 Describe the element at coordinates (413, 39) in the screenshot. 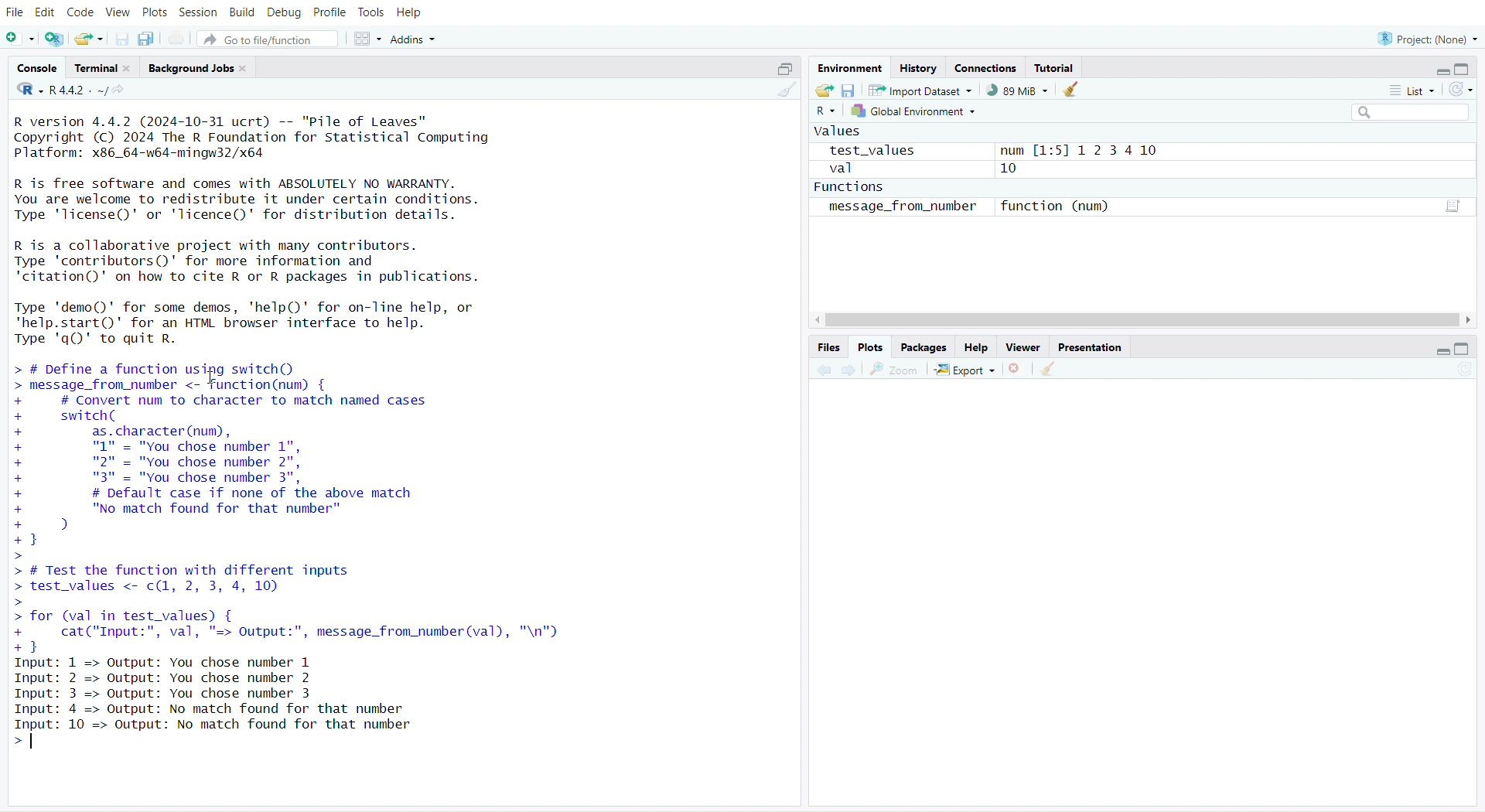

I see `Addins` at that location.